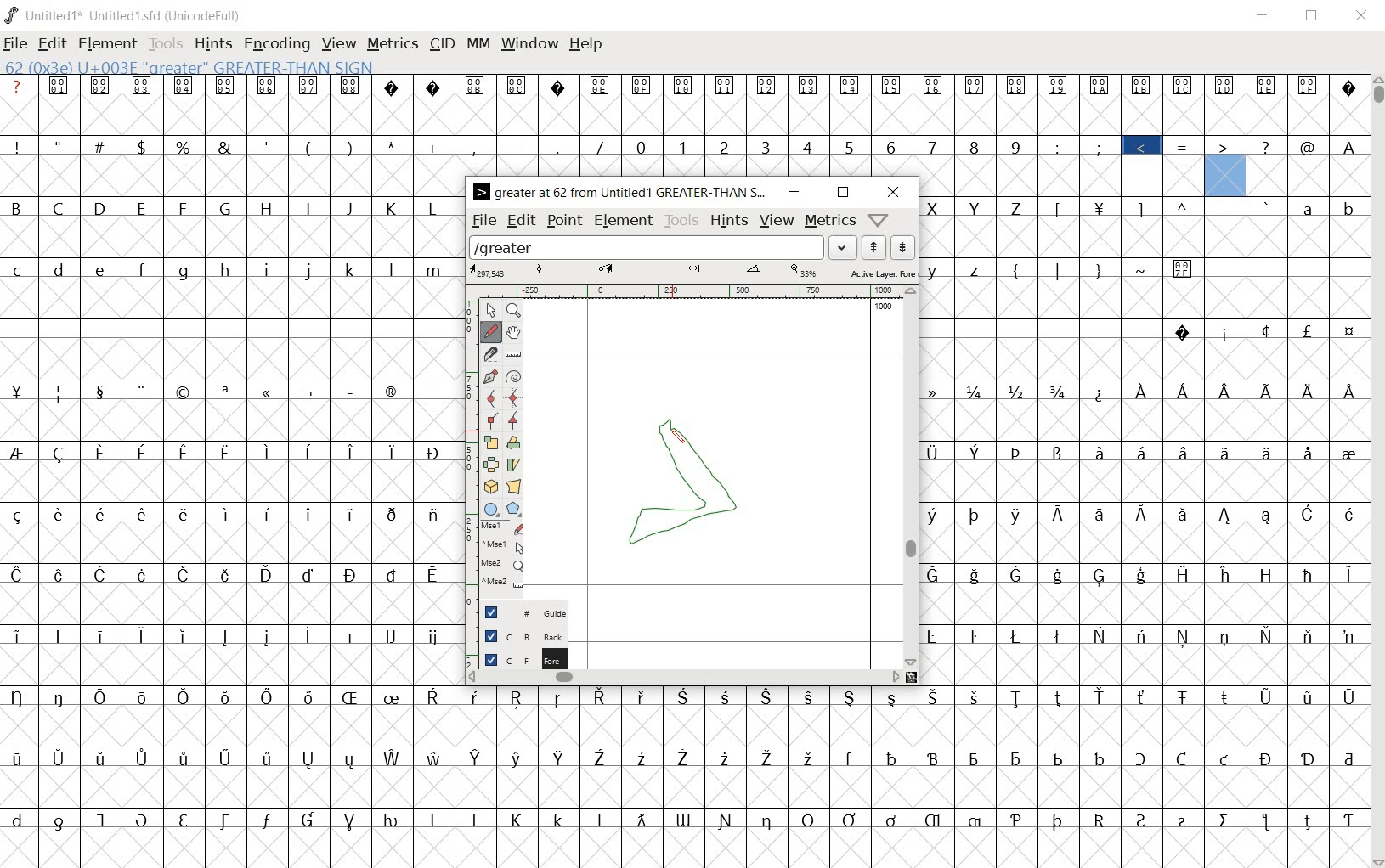  I want to click on flip the selection, so click(490, 465).